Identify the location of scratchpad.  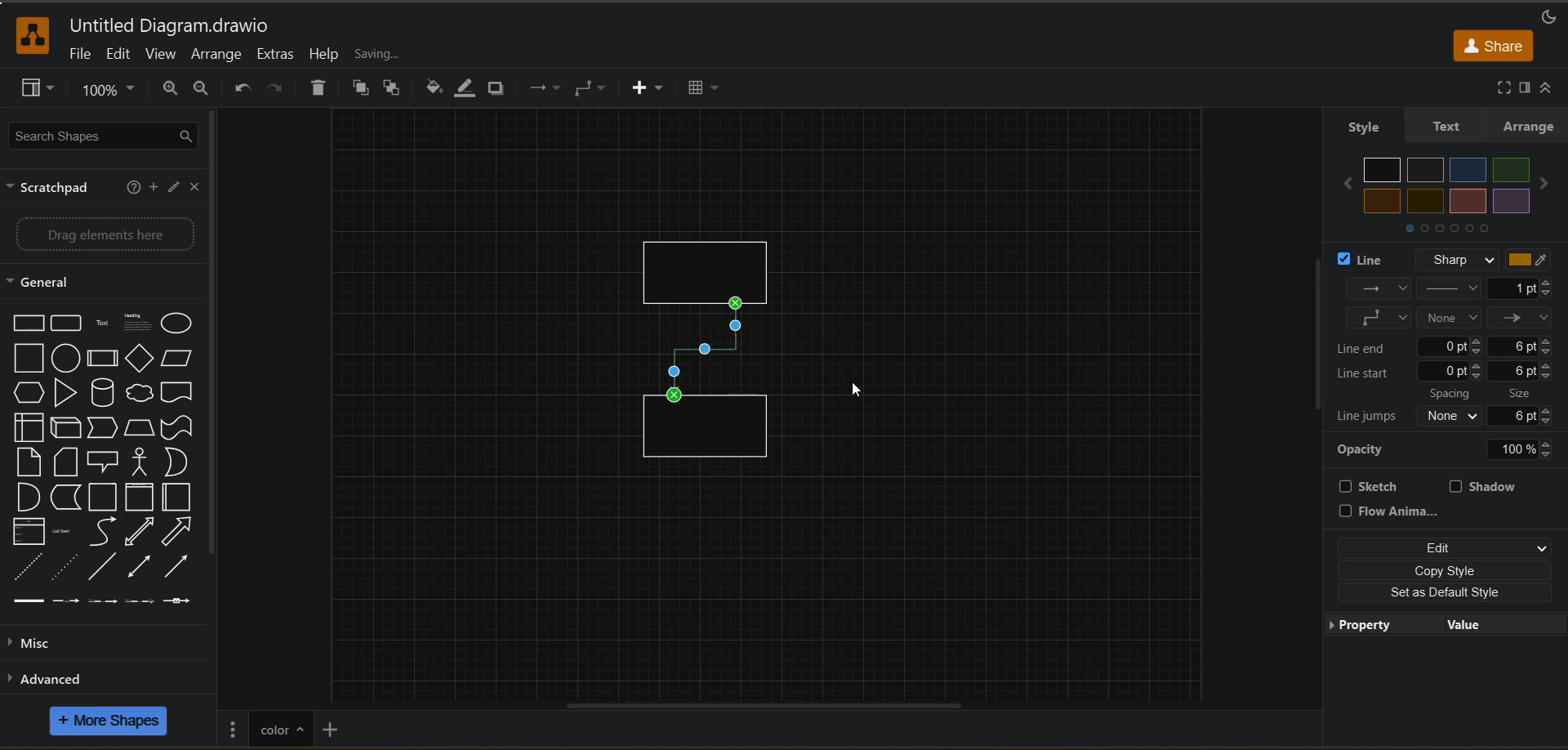
(53, 190).